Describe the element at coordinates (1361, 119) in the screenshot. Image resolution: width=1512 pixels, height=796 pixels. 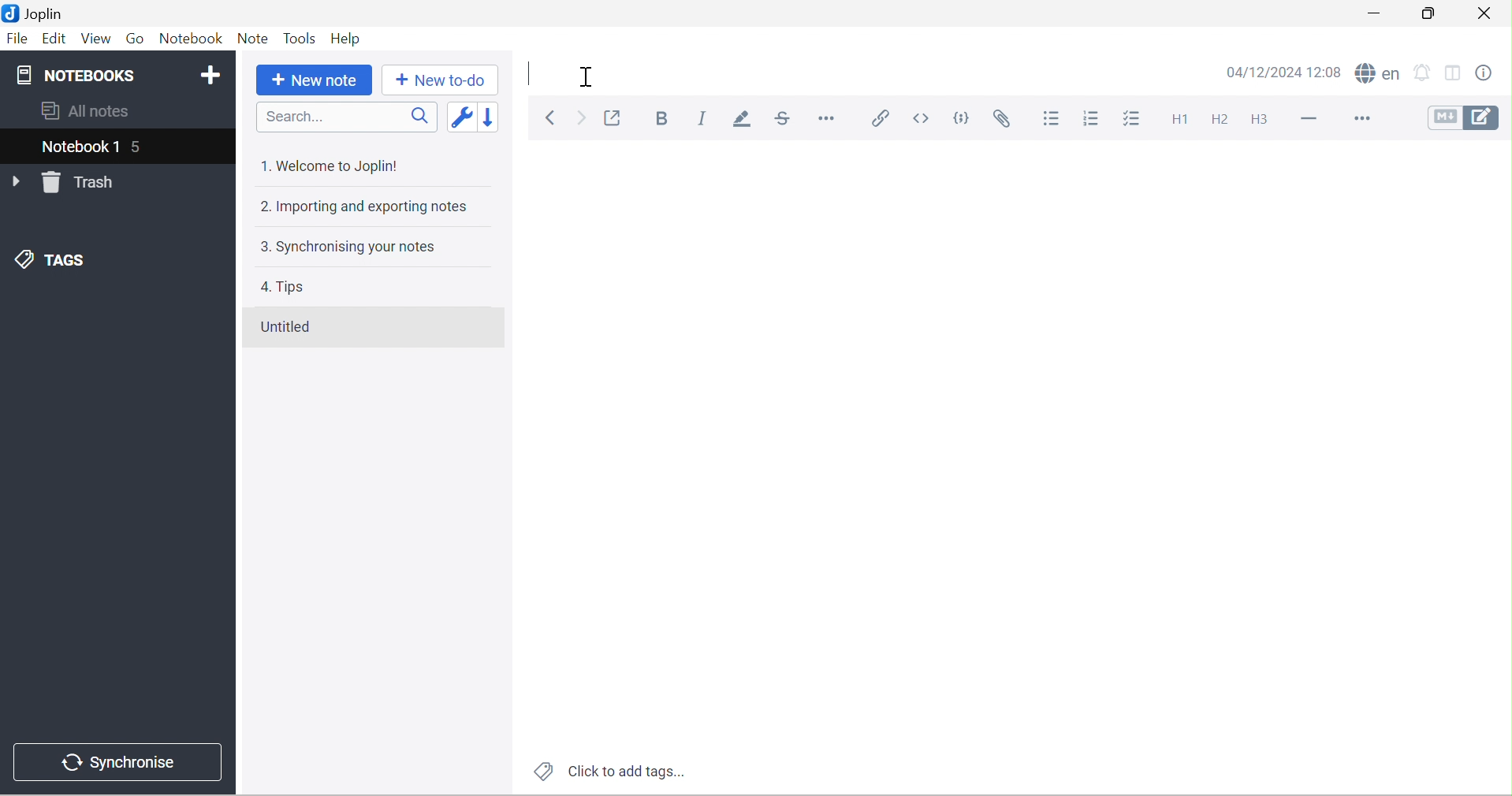
I see `More` at that location.